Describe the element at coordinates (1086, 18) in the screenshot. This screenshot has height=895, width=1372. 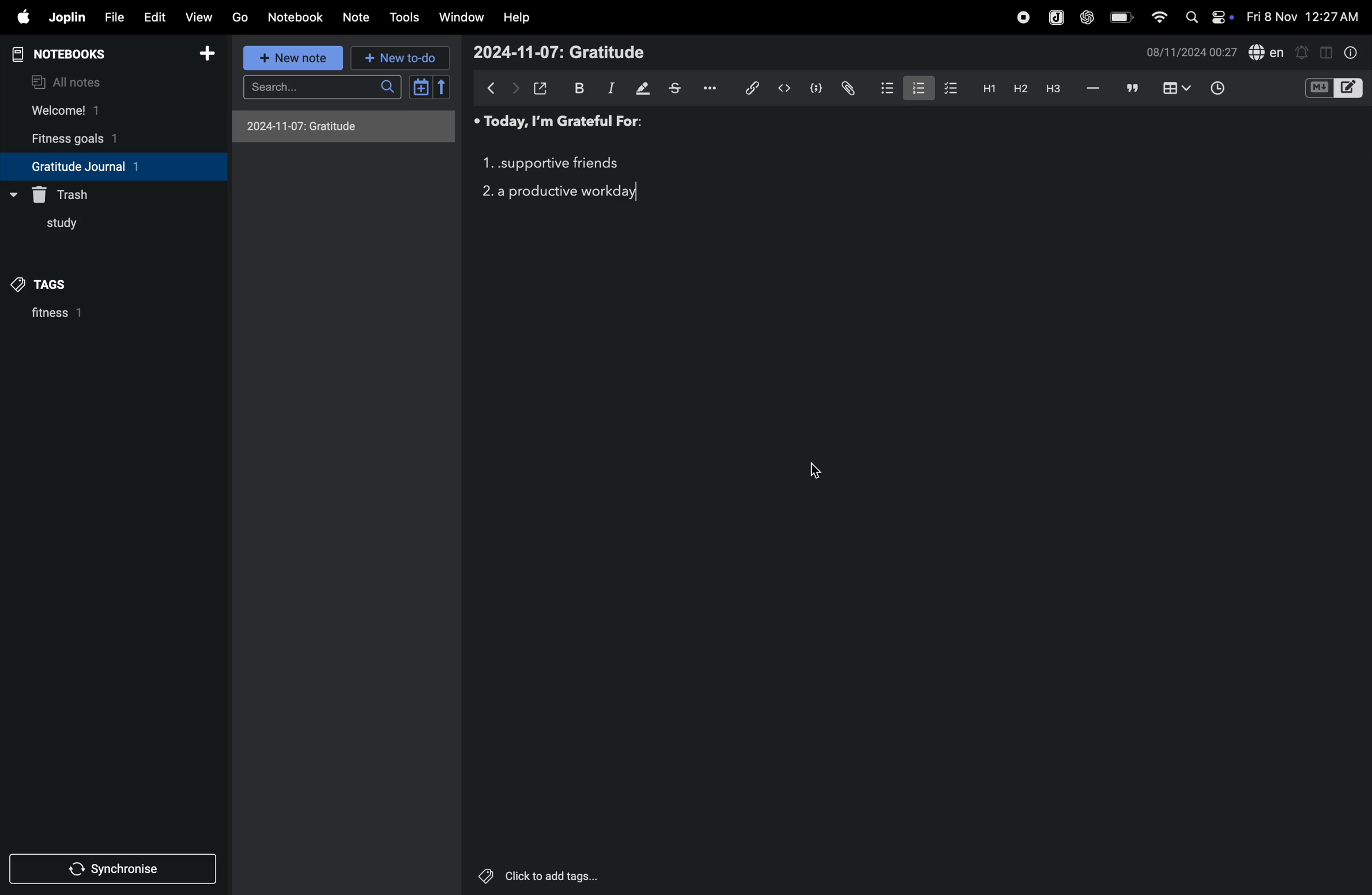
I see `chatgpt` at that location.